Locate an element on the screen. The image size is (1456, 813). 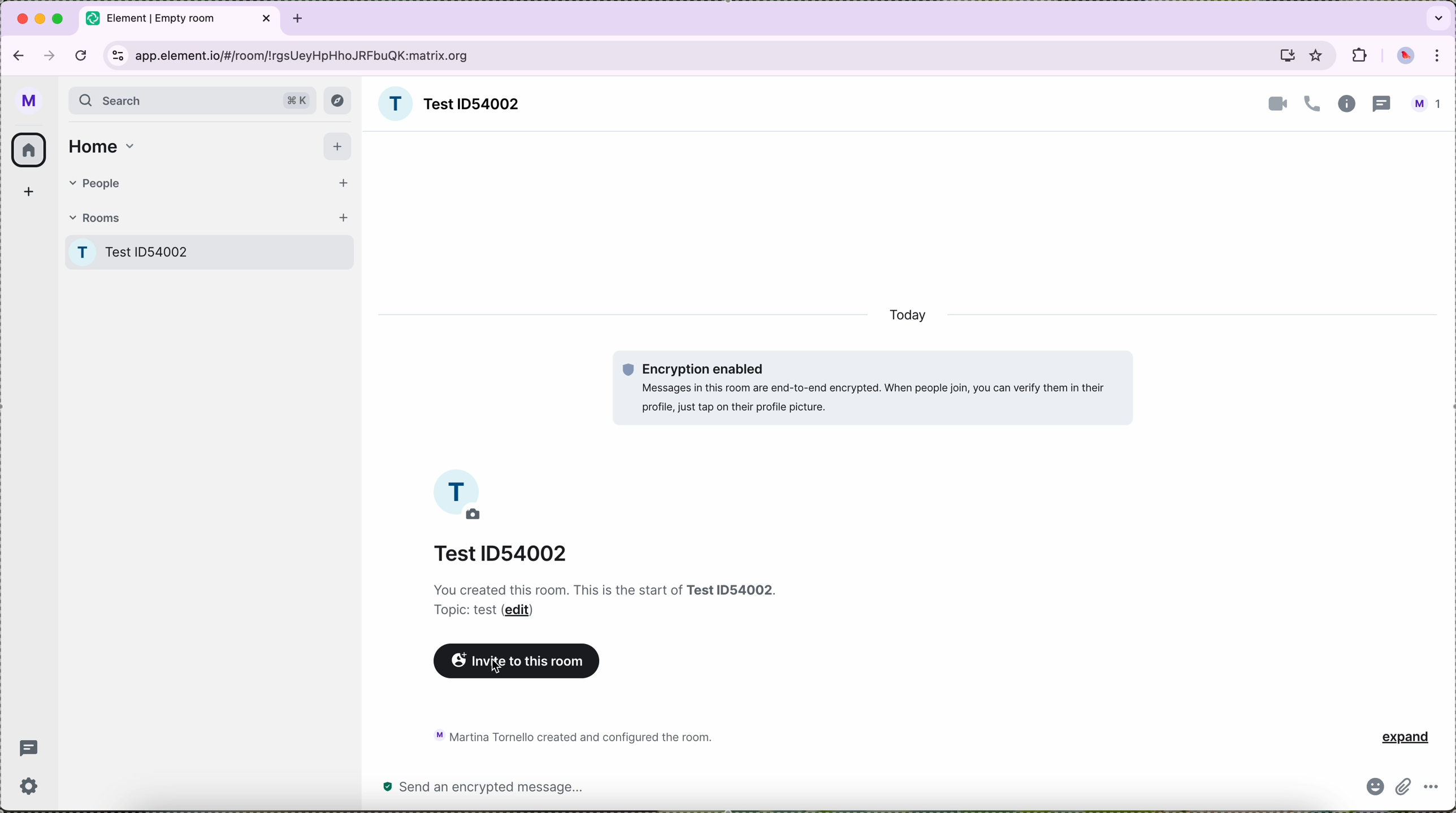
explore button is located at coordinates (338, 101).